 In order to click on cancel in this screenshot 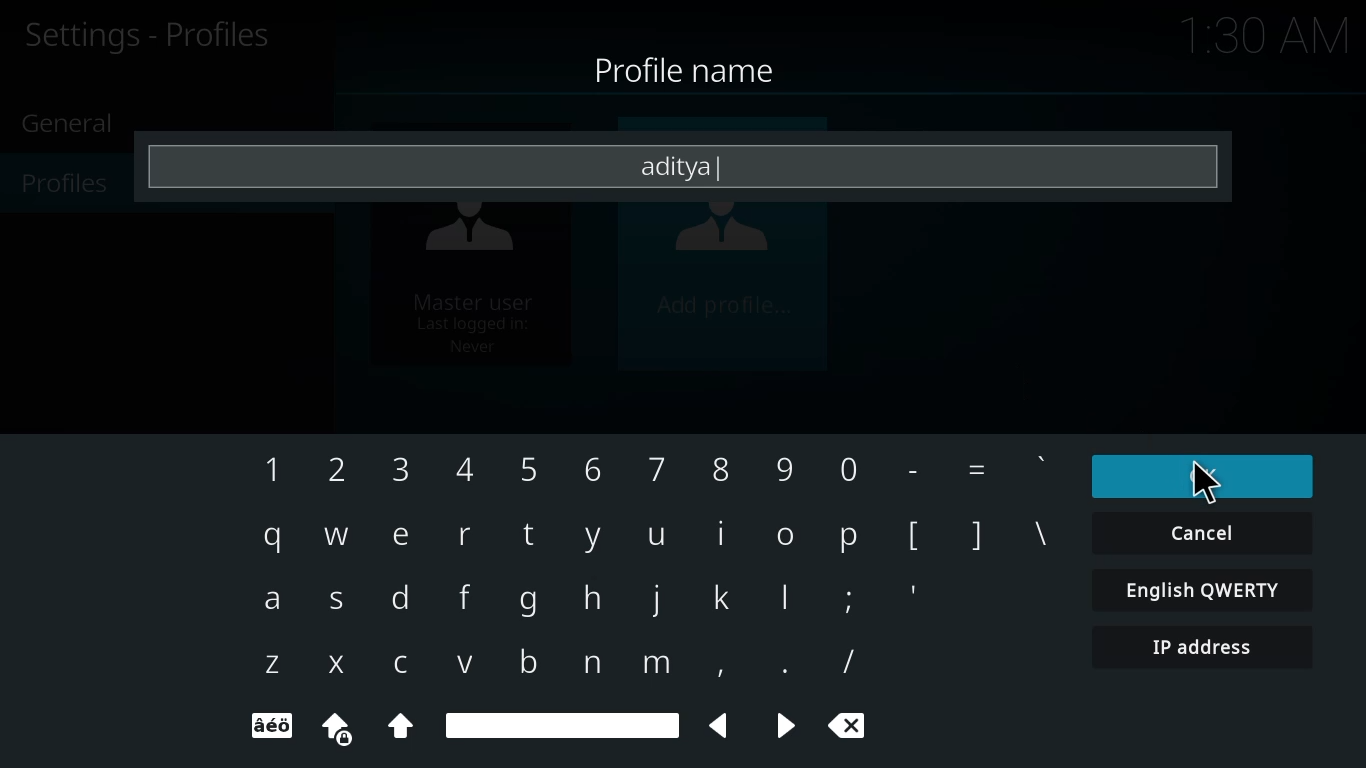, I will do `click(1199, 533)`.